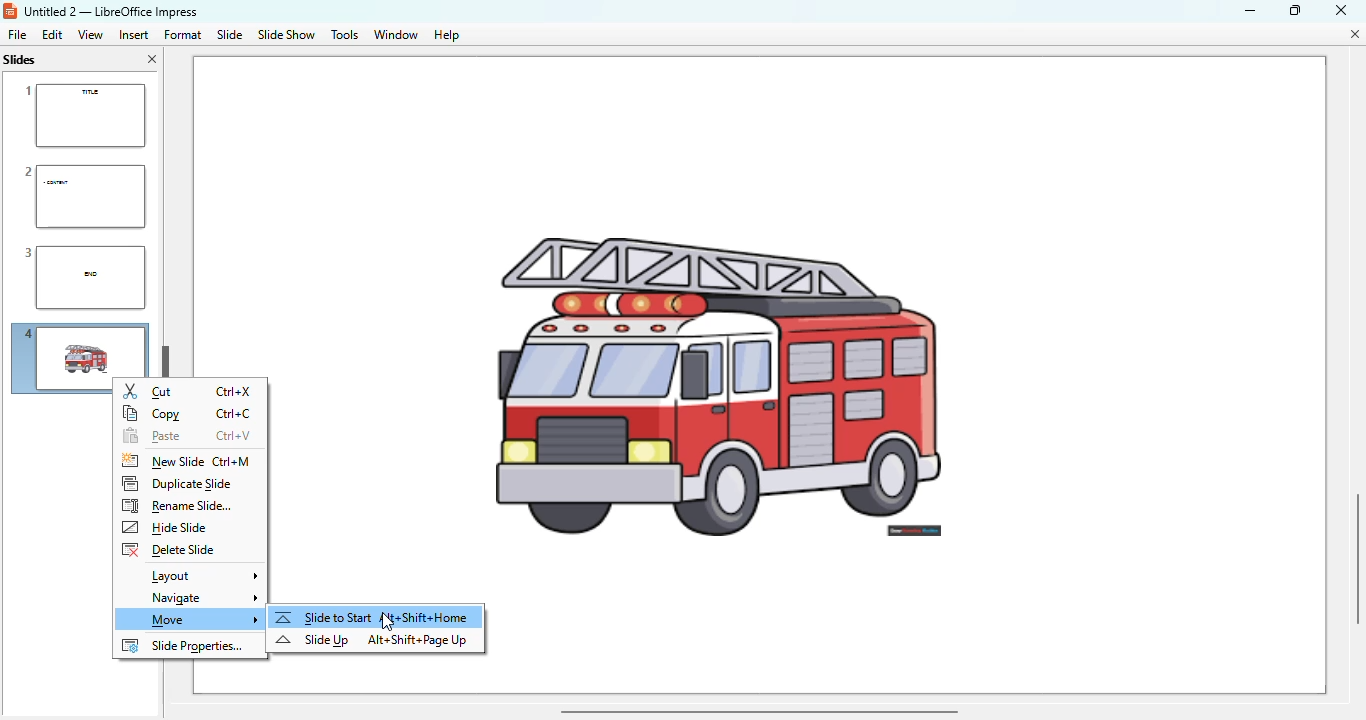  Describe the element at coordinates (1341, 9) in the screenshot. I see `close` at that location.